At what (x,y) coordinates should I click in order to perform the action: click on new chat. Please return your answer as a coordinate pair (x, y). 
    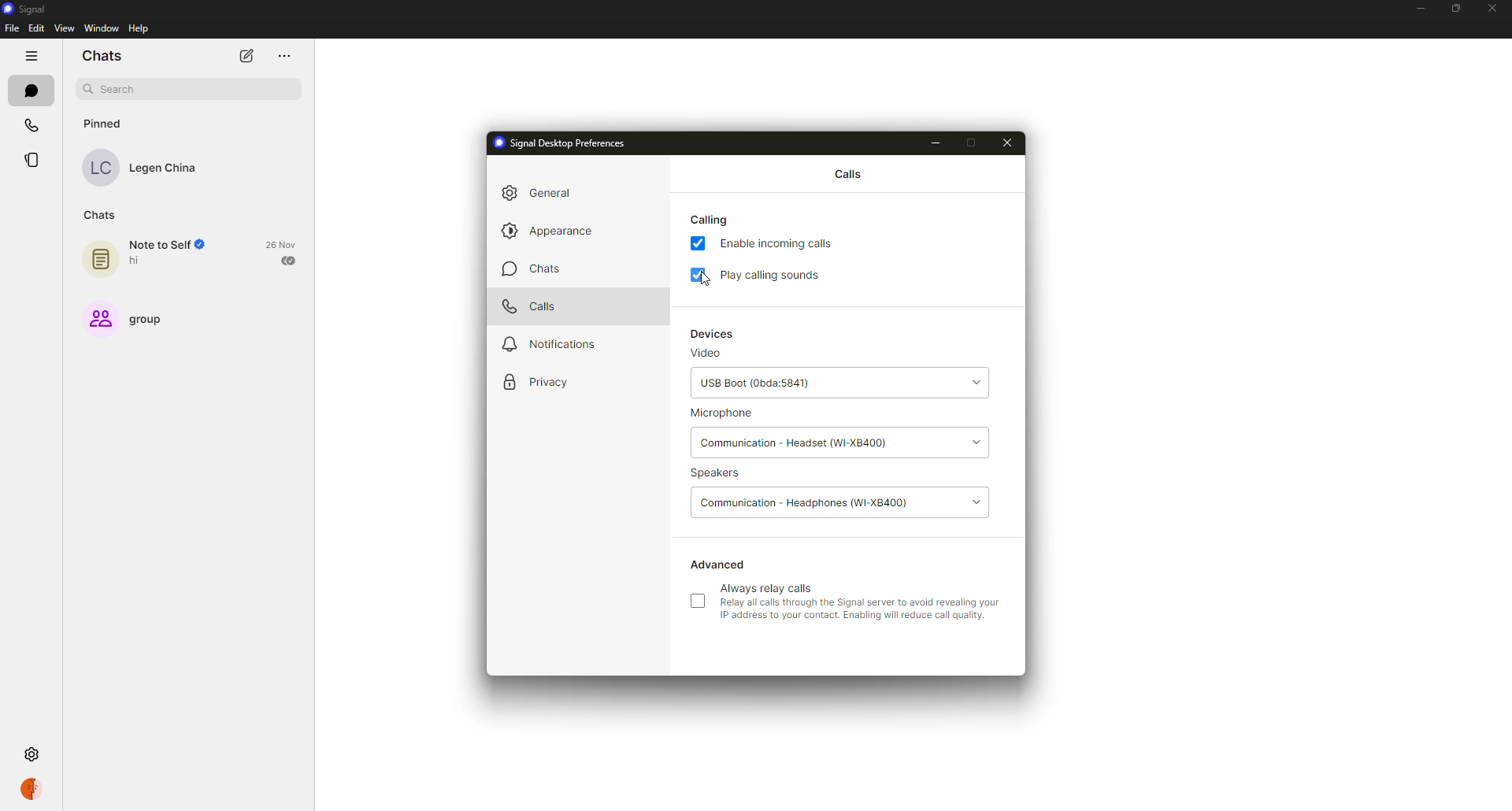
    Looking at the image, I should click on (246, 55).